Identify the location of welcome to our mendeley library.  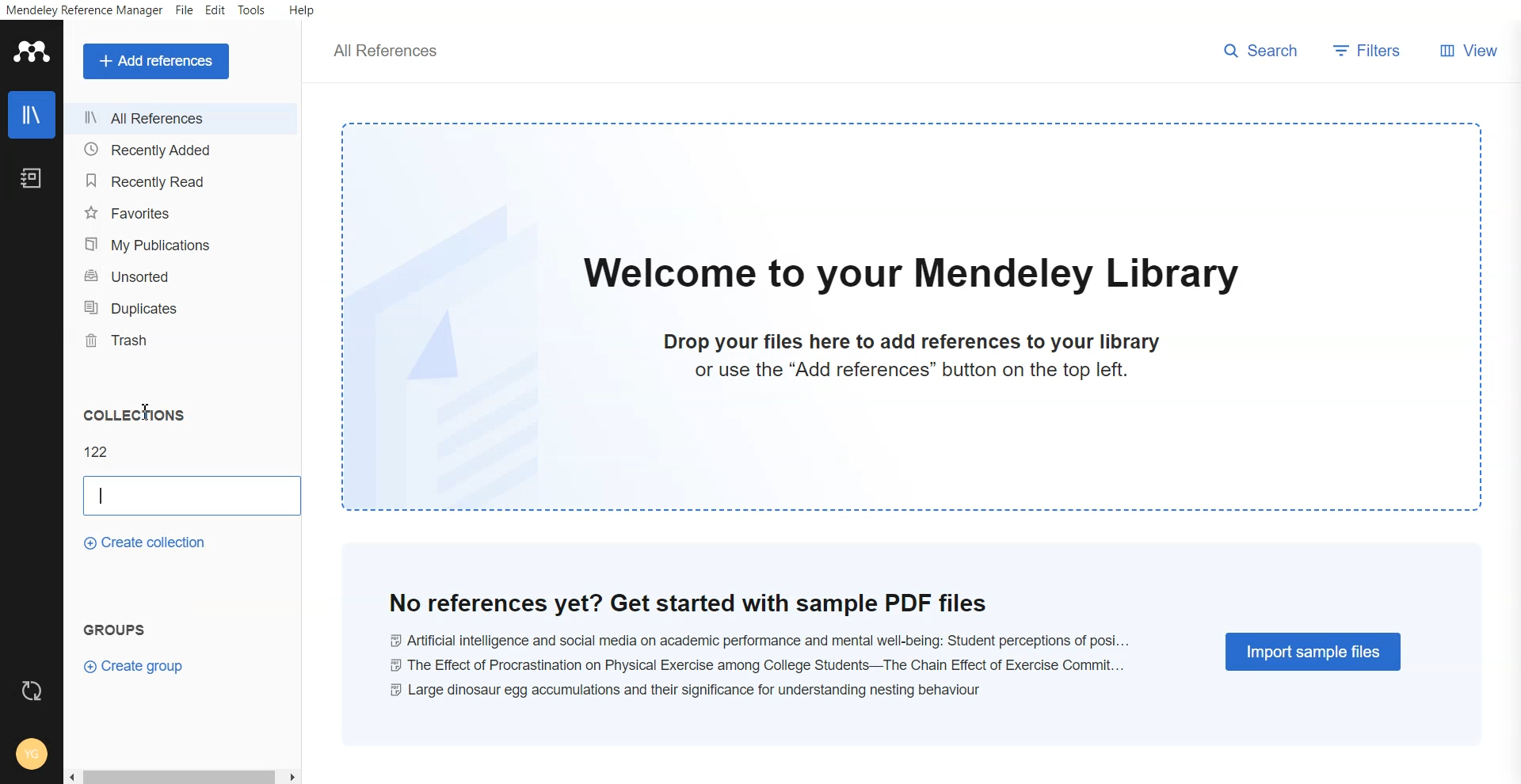
(911, 274).